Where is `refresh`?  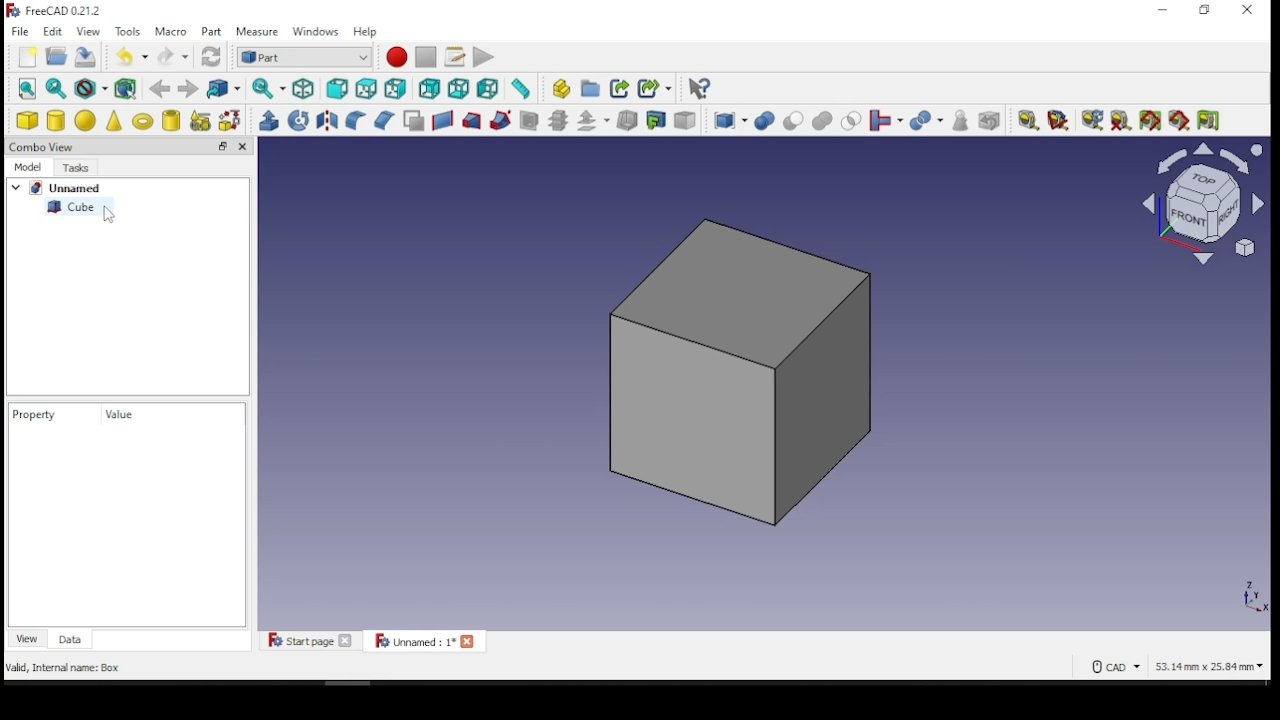
refresh is located at coordinates (211, 57).